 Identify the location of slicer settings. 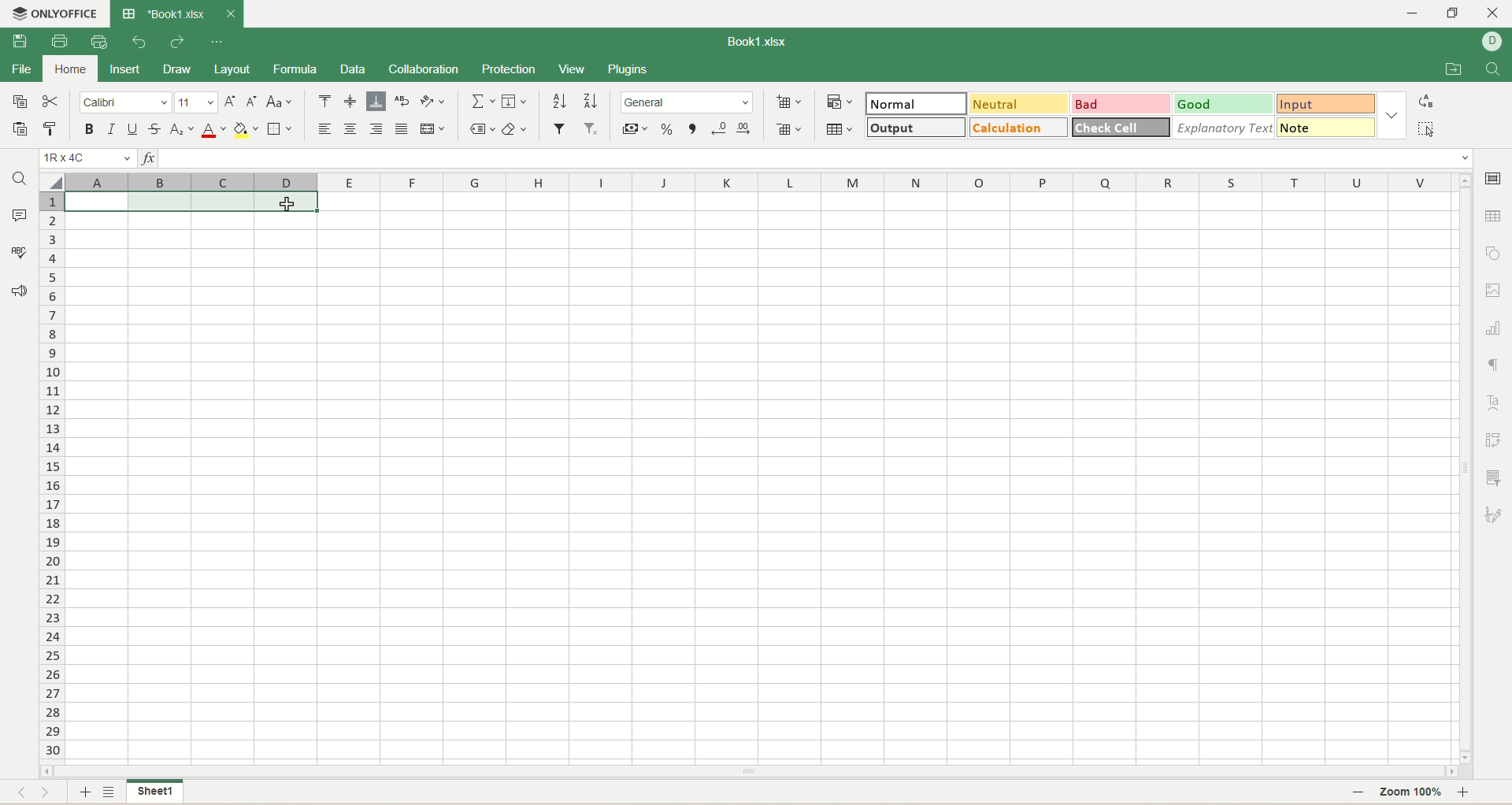
(1496, 478).